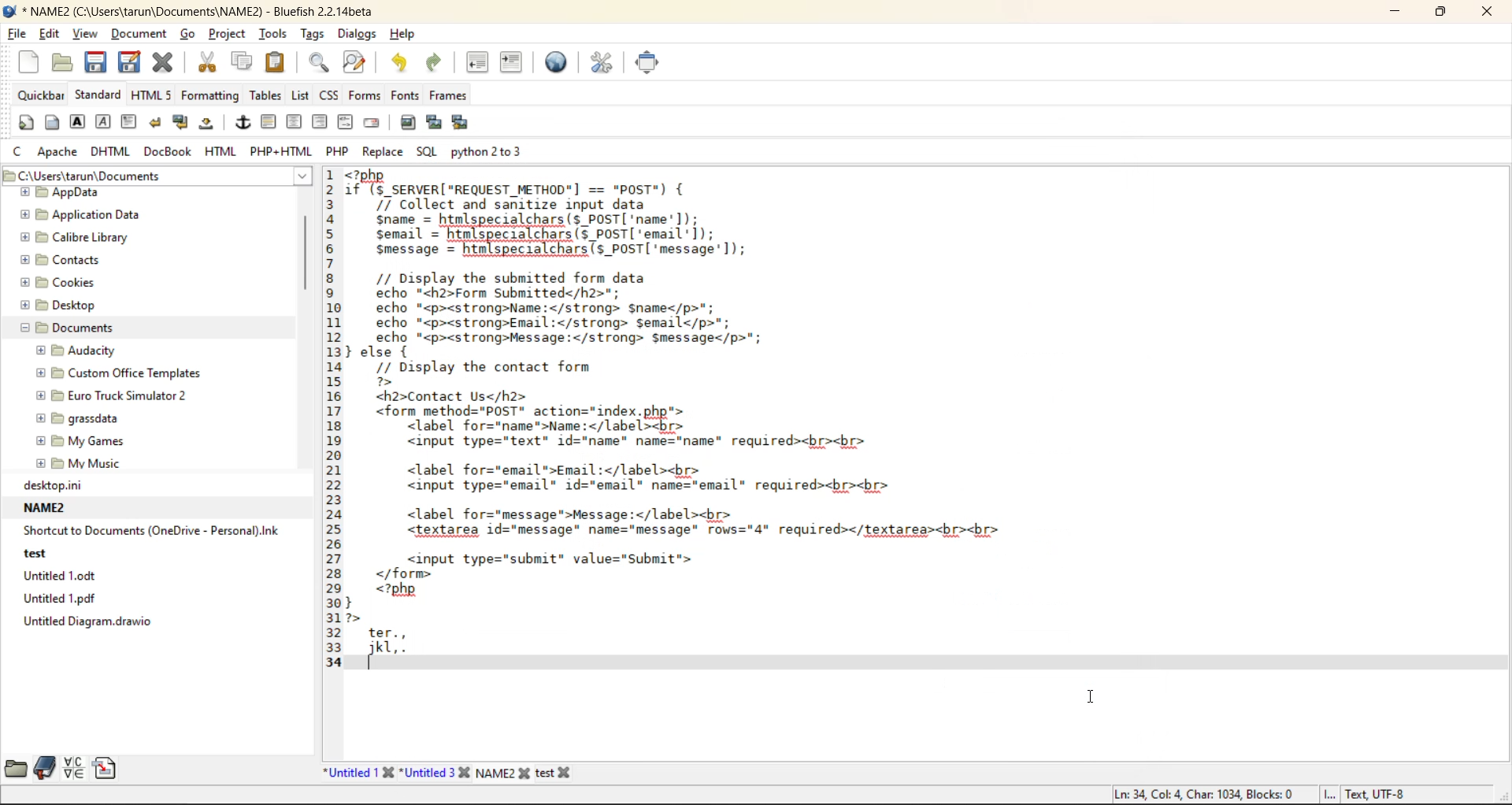 This screenshot has height=805, width=1512. Describe the element at coordinates (17, 766) in the screenshot. I see `file browser` at that location.